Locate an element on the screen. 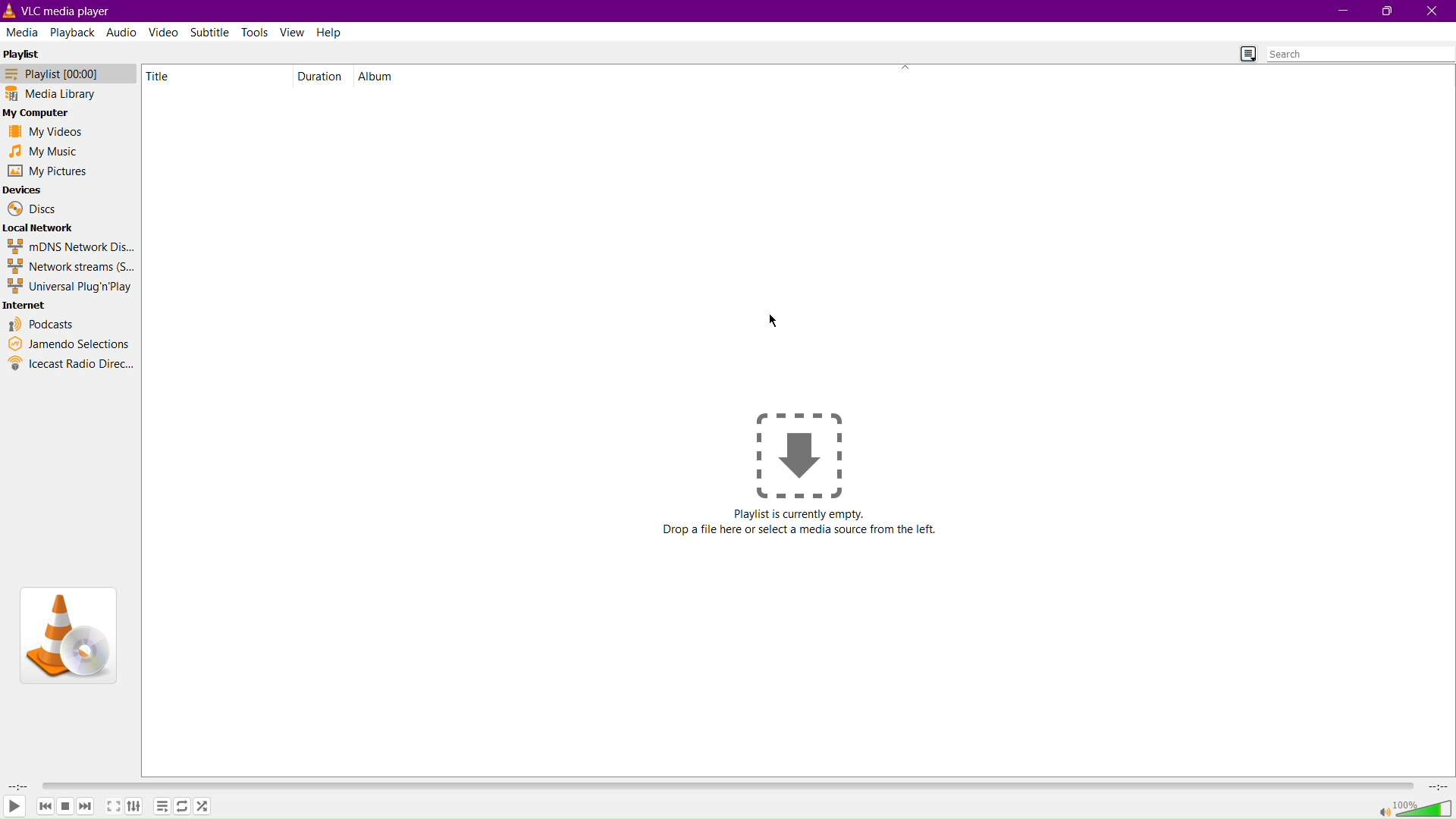 This screenshot has width=1456, height=819. View is located at coordinates (293, 32).